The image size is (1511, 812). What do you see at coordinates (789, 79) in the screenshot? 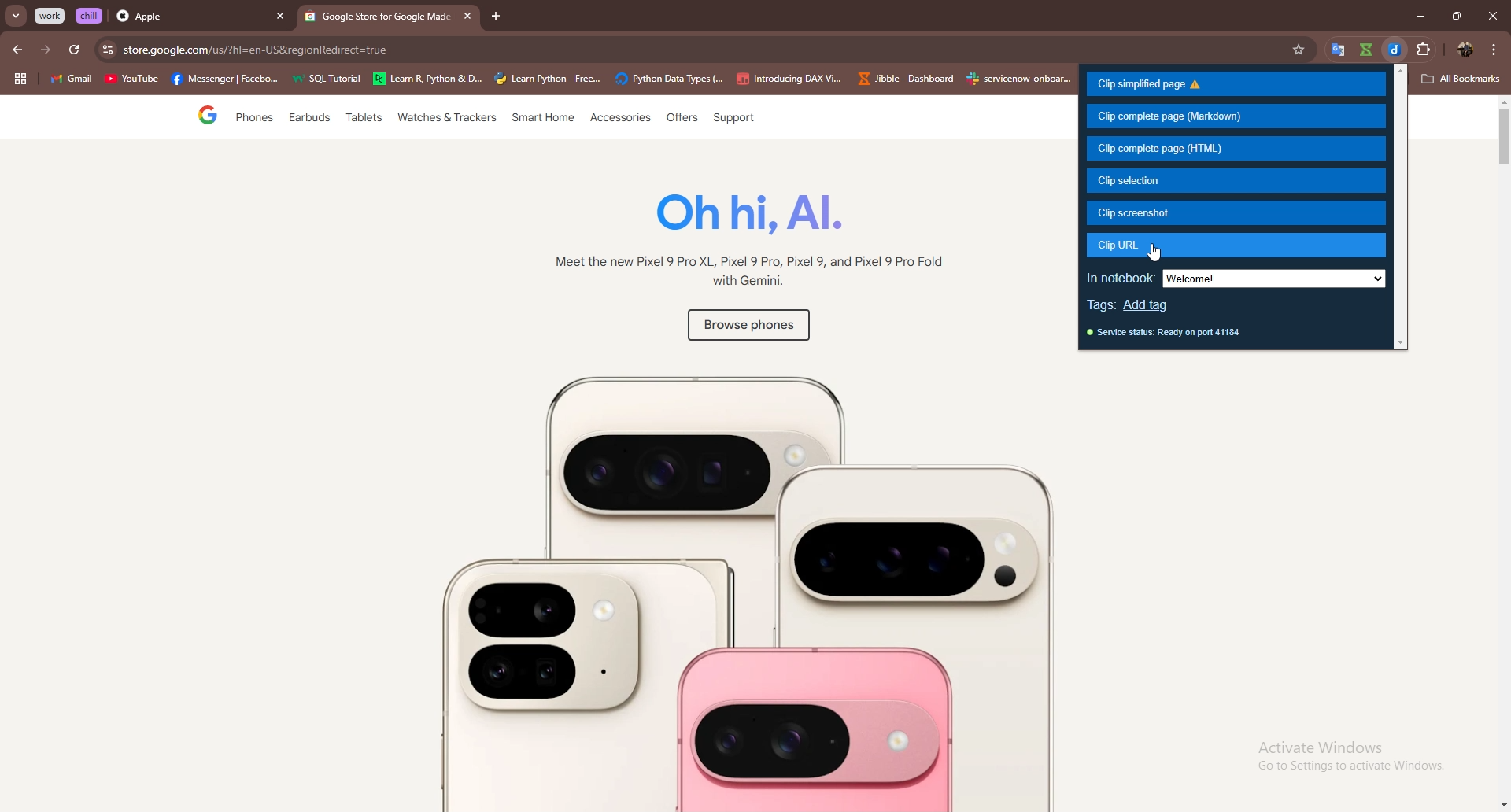
I see `Introducing DAX Vi..` at bounding box center [789, 79].